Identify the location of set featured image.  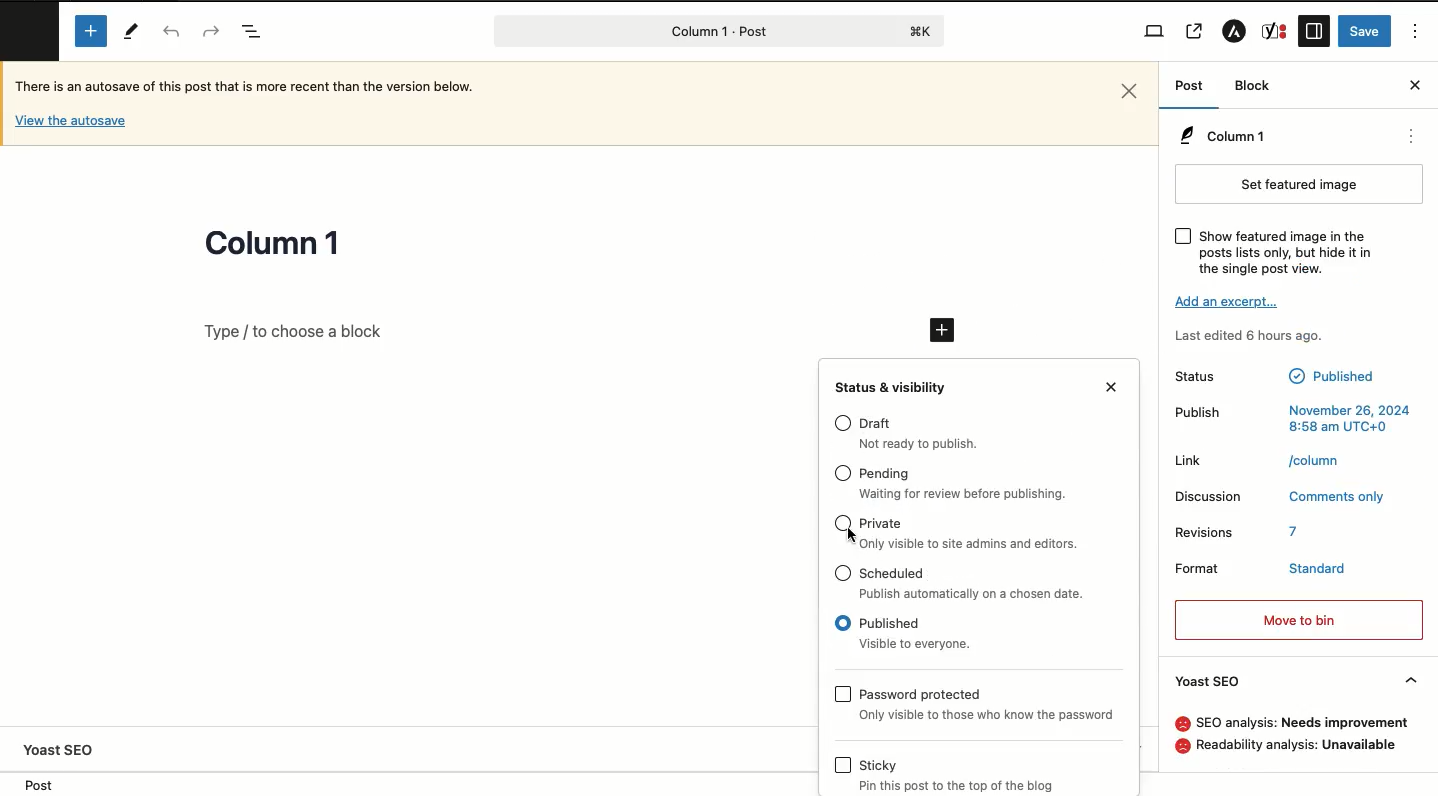
(1300, 184).